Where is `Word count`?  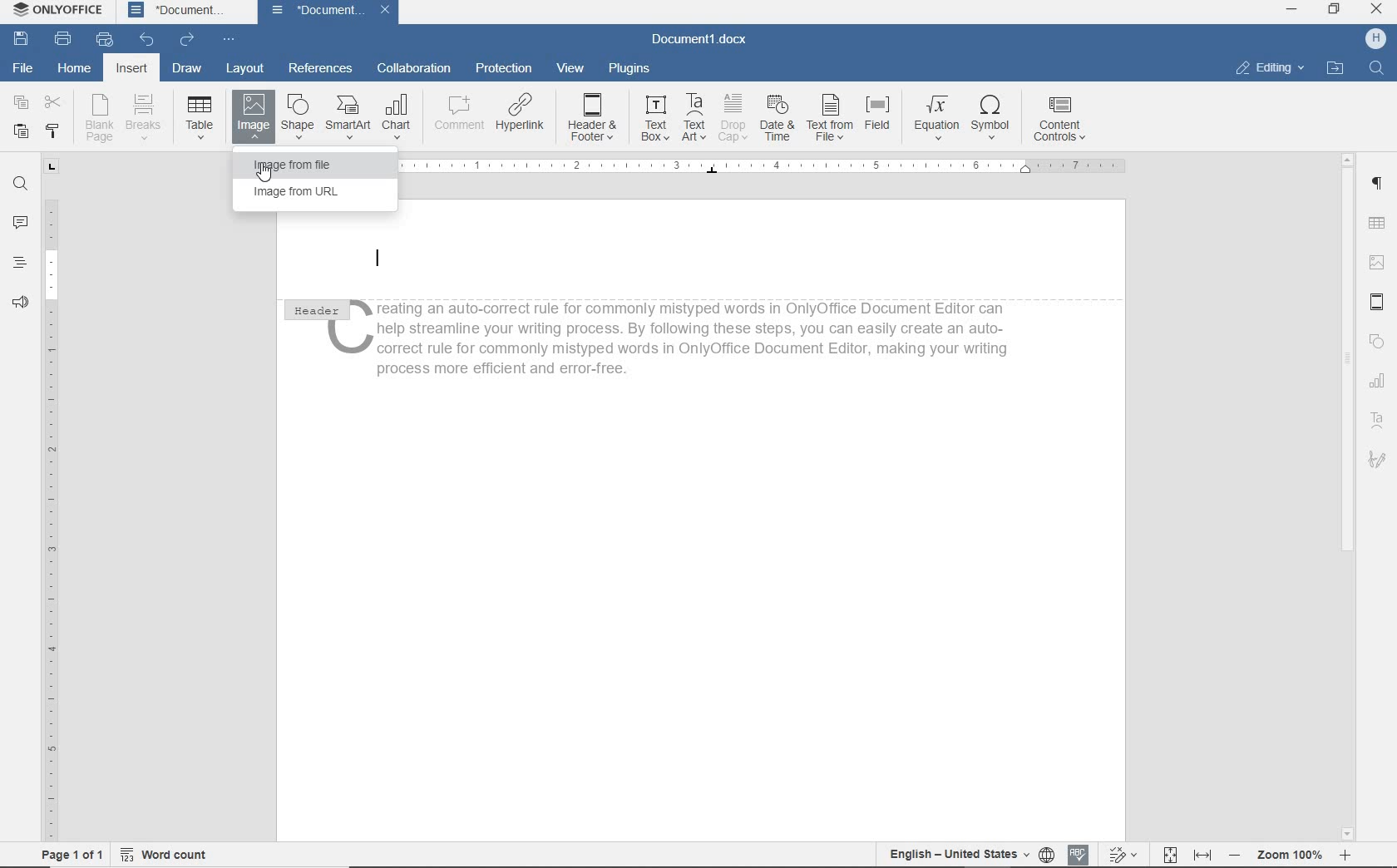
Word count is located at coordinates (162, 855).